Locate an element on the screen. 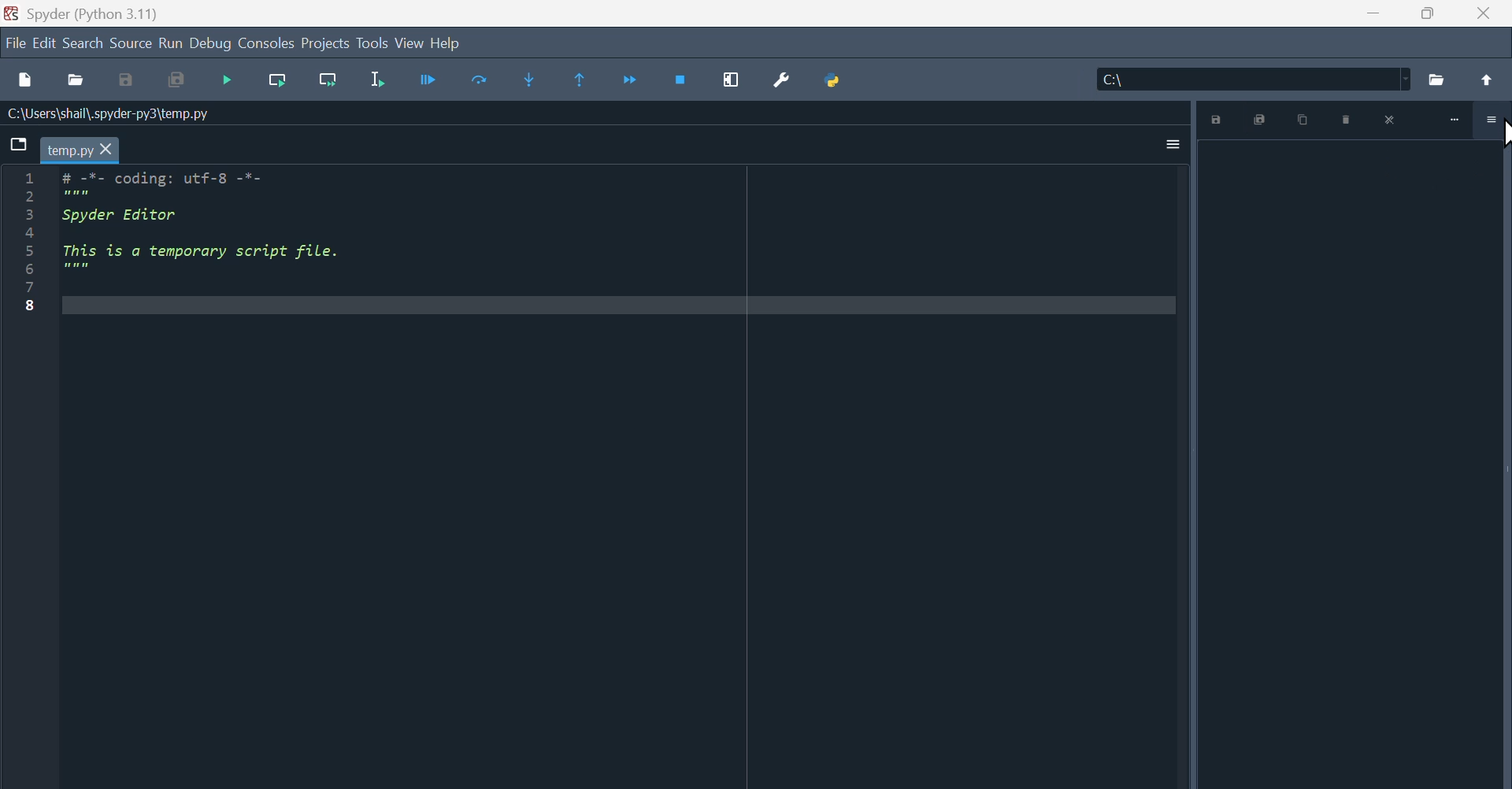 The image size is (1512, 789). Spyder Desktop icon is located at coordinates (13, 13).